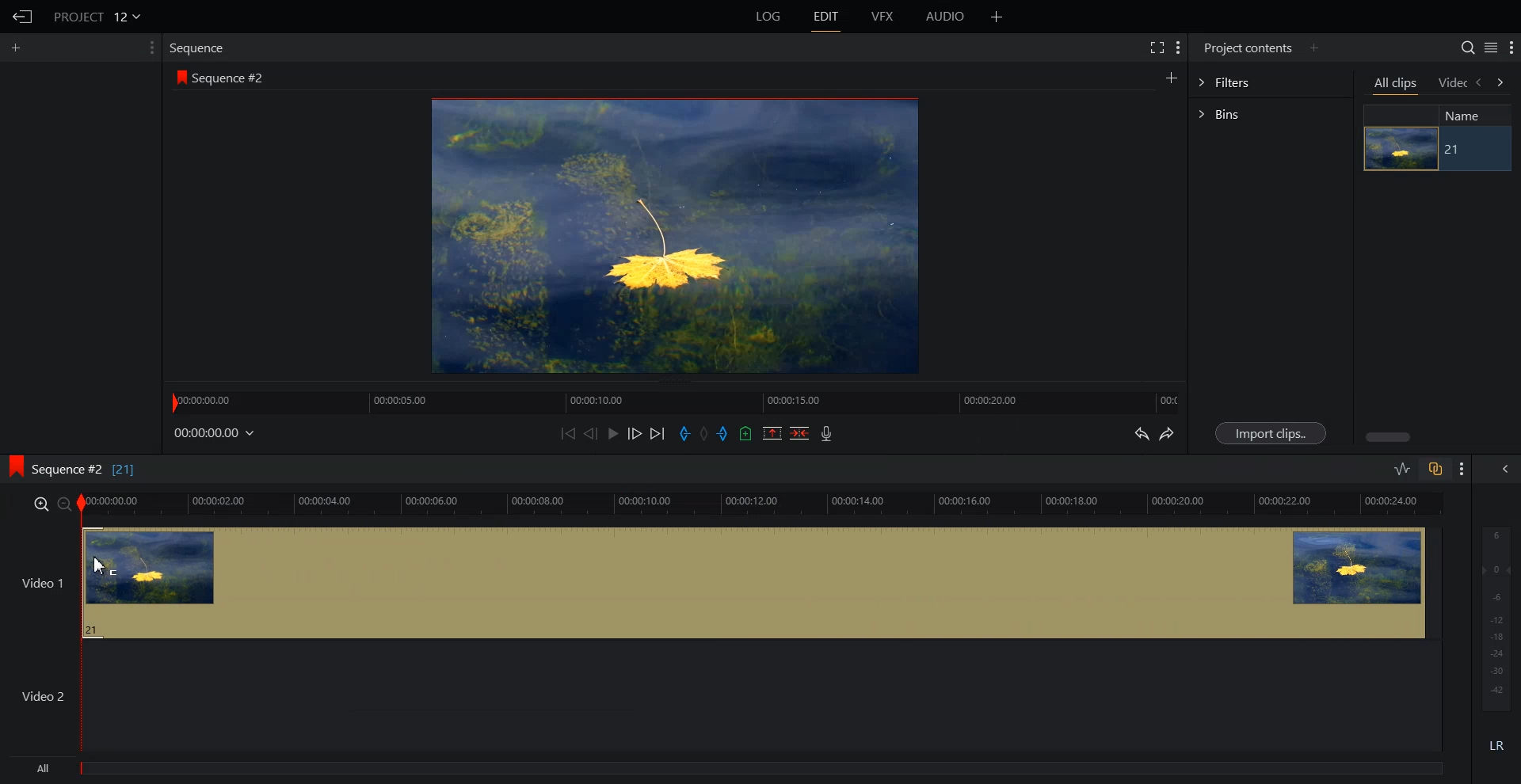 The image size is (1521, 784). What do you see at coordinates (97, 16) in the screenshot?
I see `Project 12v` at bounding box center [97, 16].